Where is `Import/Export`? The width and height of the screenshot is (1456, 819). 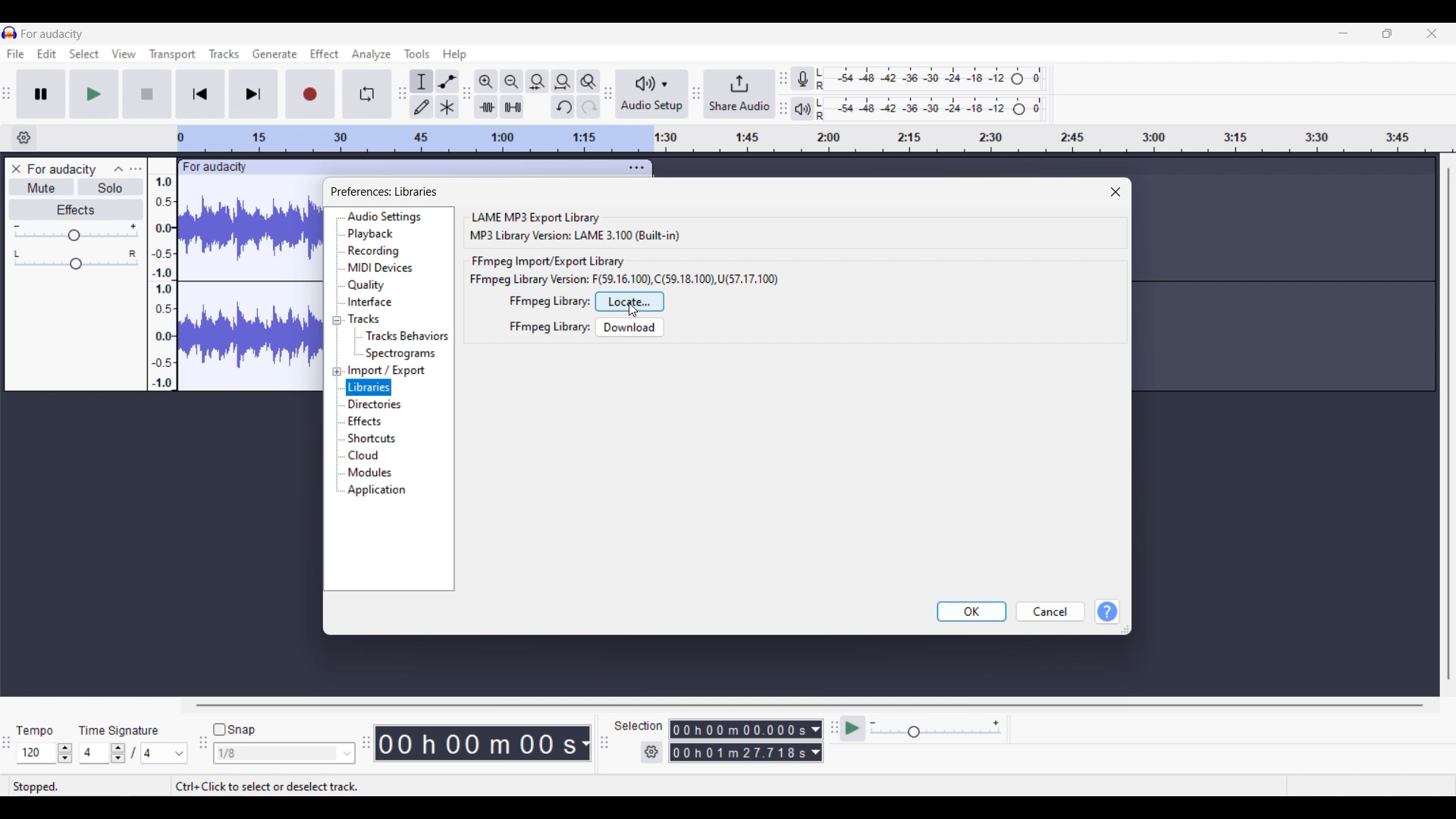 Import/Export is located at coordinates (388, 371).